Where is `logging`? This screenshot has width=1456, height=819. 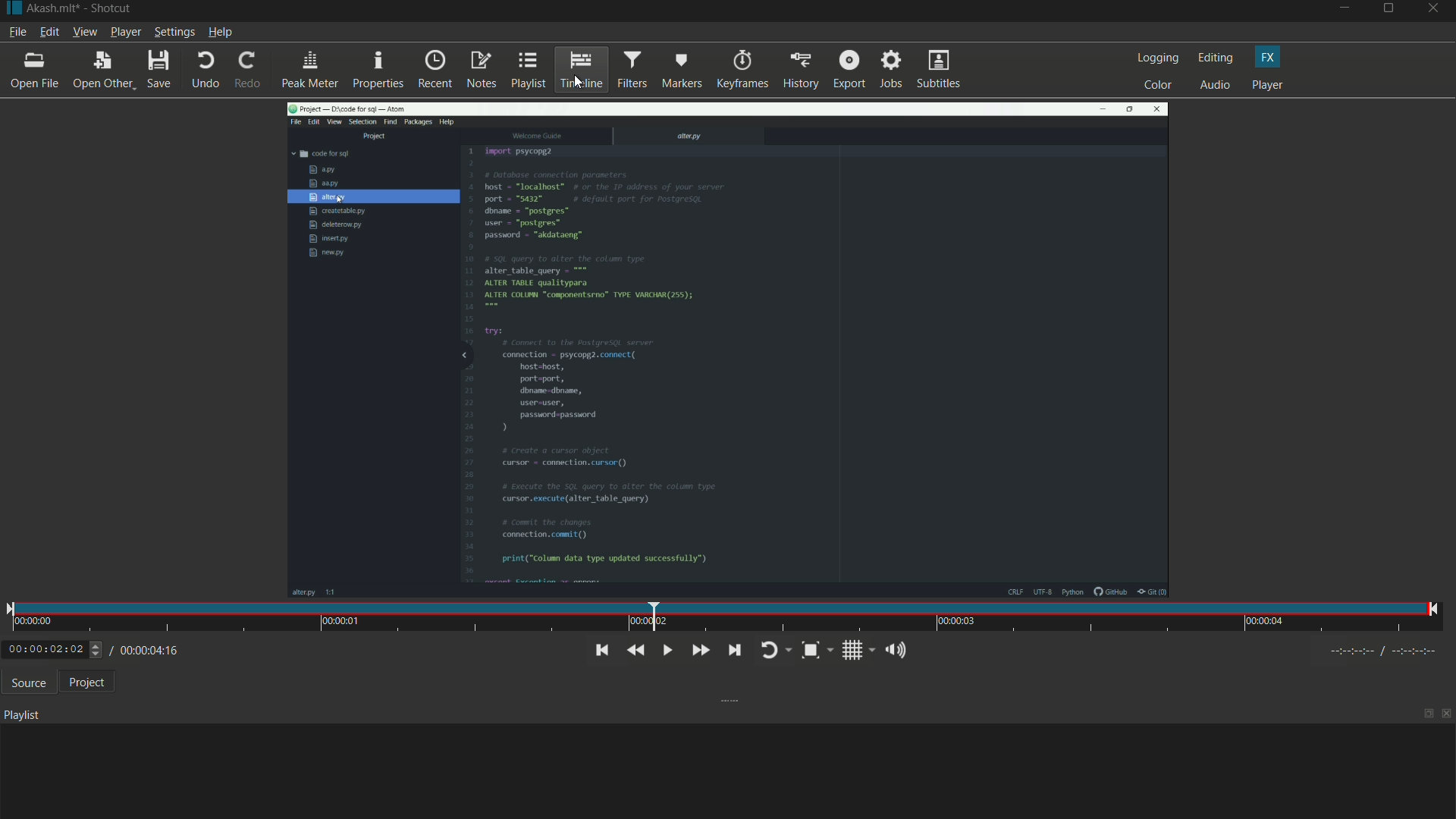 logging is located at coordinates (1155, 58).